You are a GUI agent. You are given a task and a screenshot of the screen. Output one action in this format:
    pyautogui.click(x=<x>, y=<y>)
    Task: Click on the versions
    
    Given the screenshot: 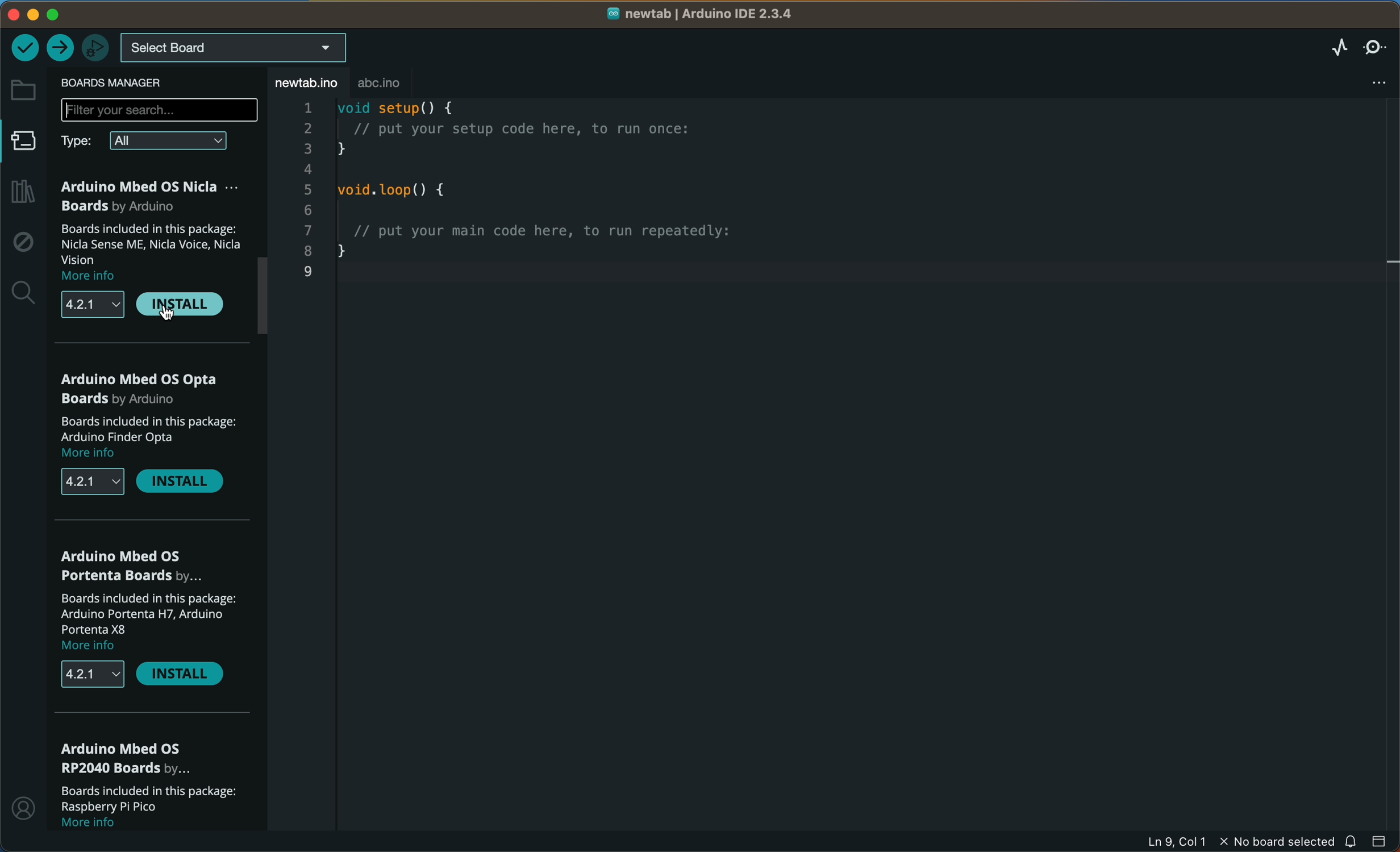 What is the action you would take?
    pyautogui.click(x=94, y=674)
    